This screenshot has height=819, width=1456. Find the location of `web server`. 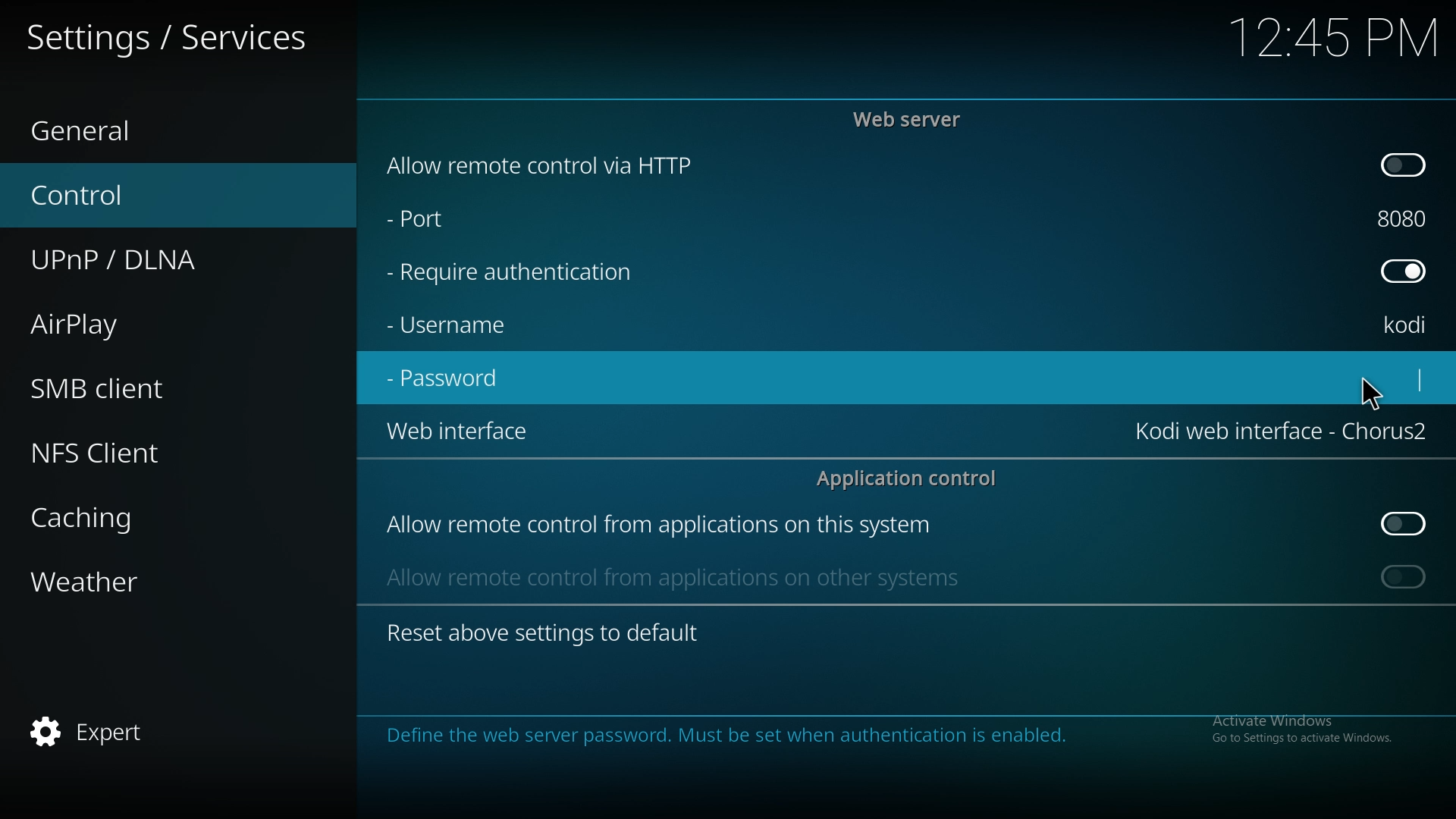

web server is located at coordinates (912, 119).